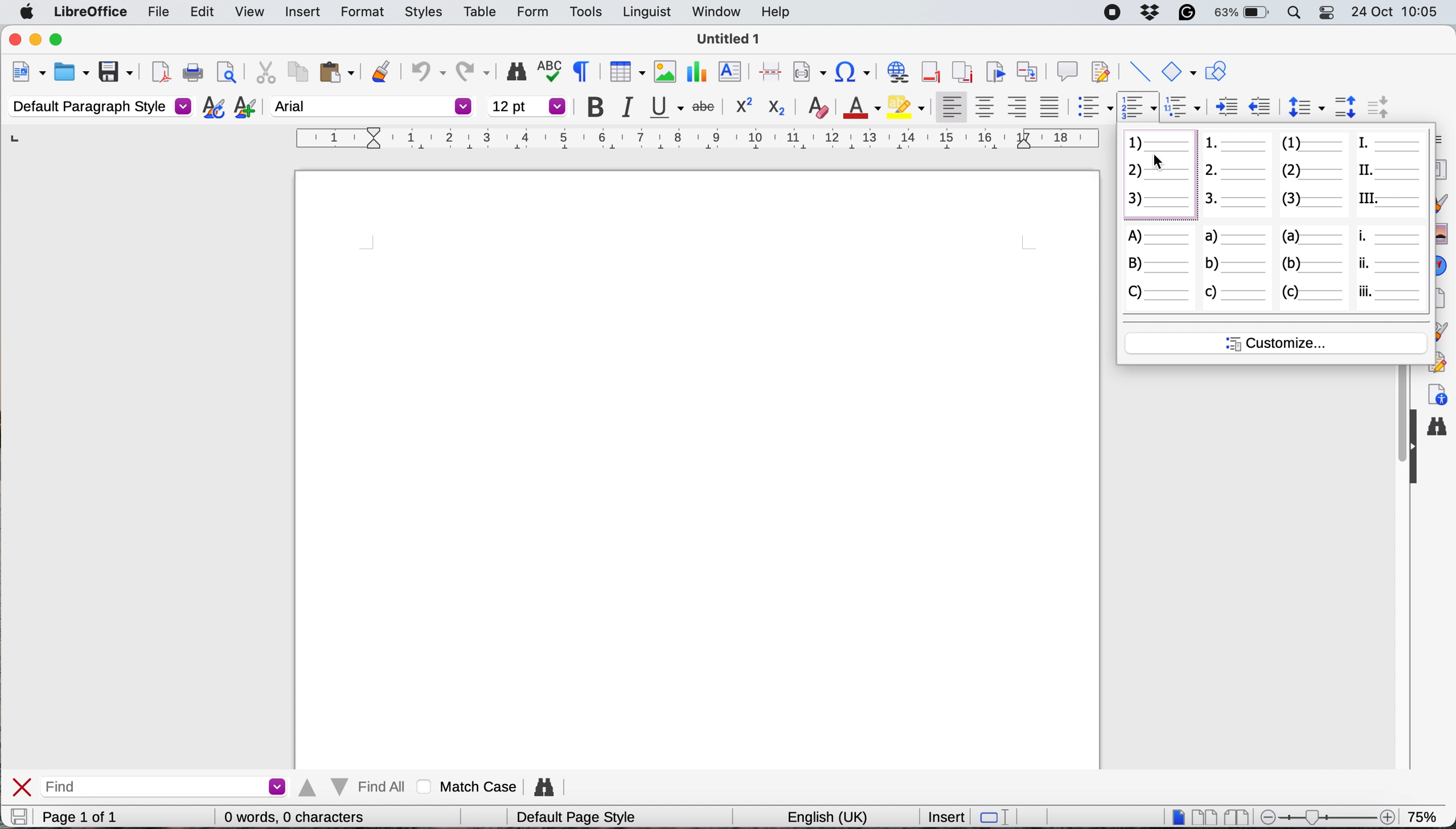  I want to click on grammarly, so click(1185, 12).